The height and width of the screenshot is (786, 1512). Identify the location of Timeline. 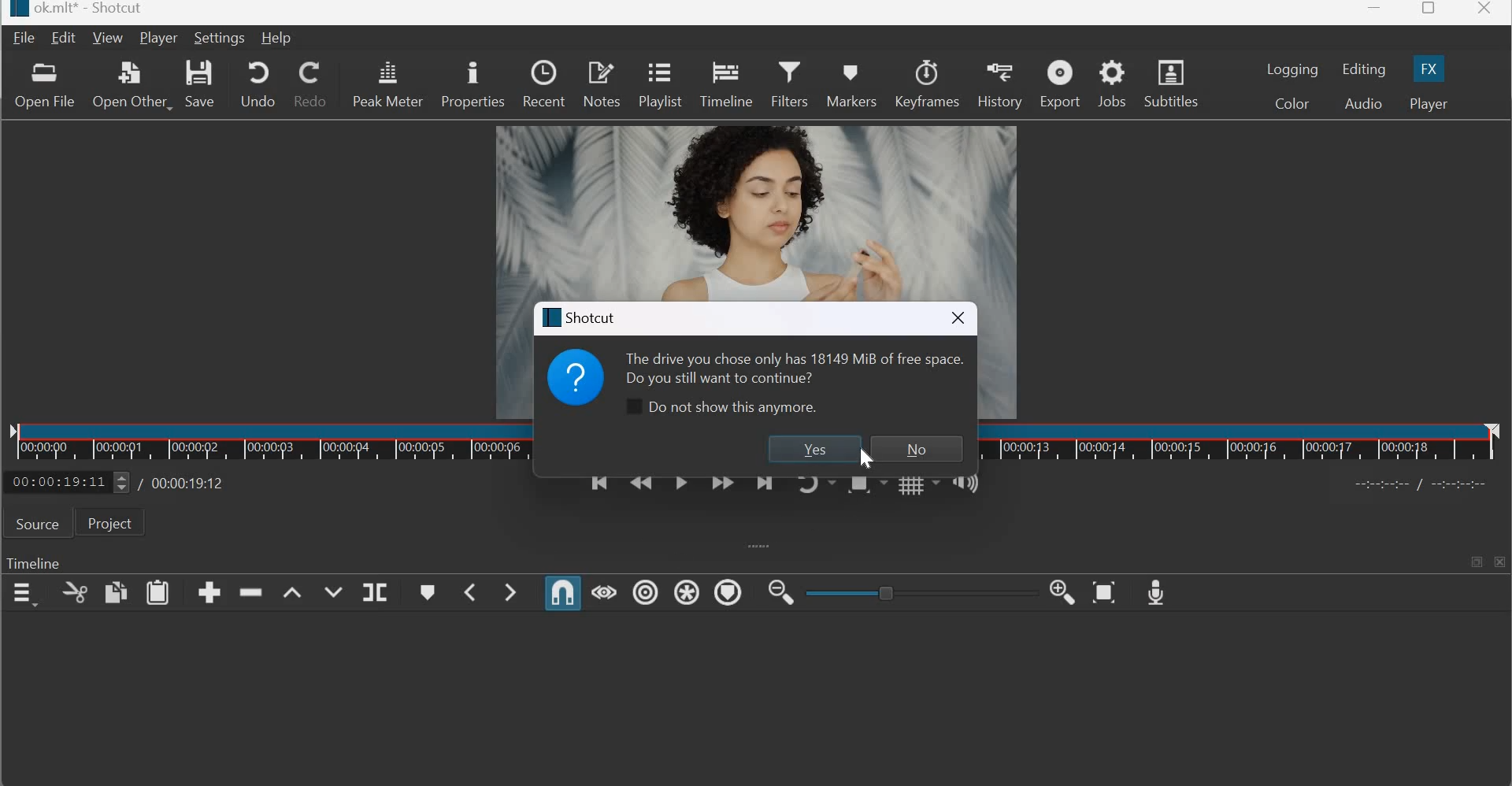
(259, 443).